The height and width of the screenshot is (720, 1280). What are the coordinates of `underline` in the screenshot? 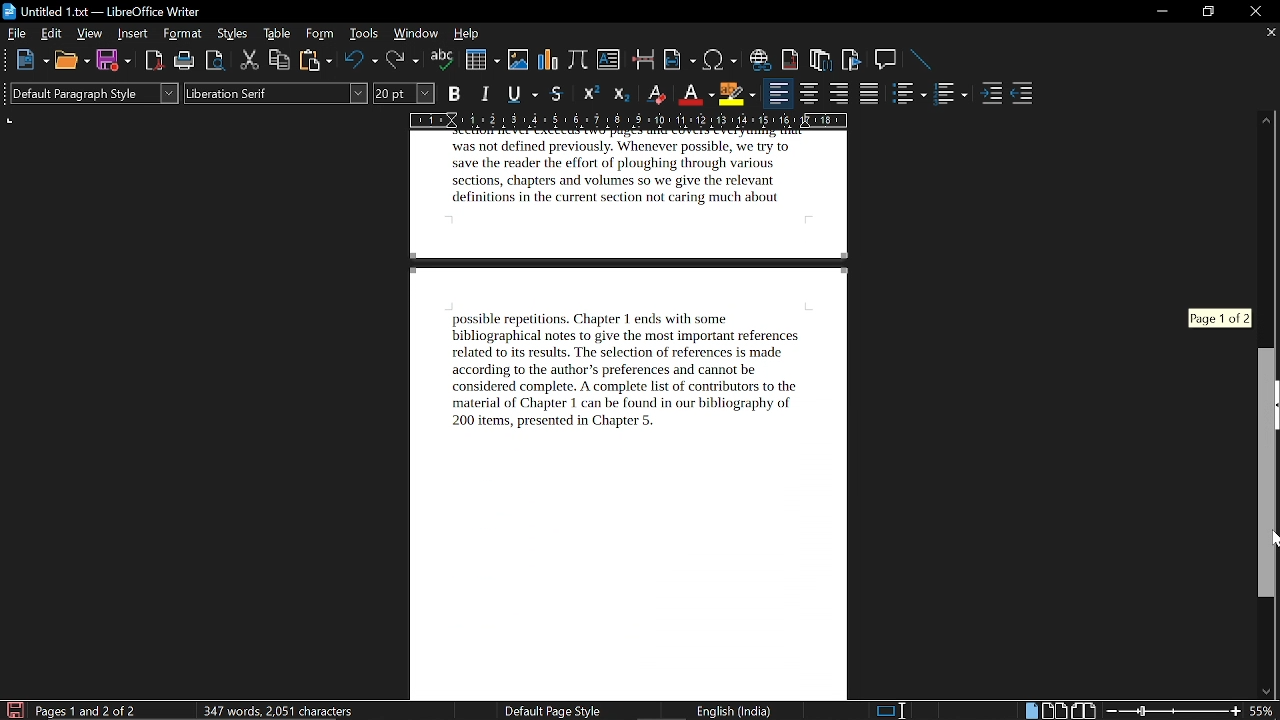 It's located at (522, 93).